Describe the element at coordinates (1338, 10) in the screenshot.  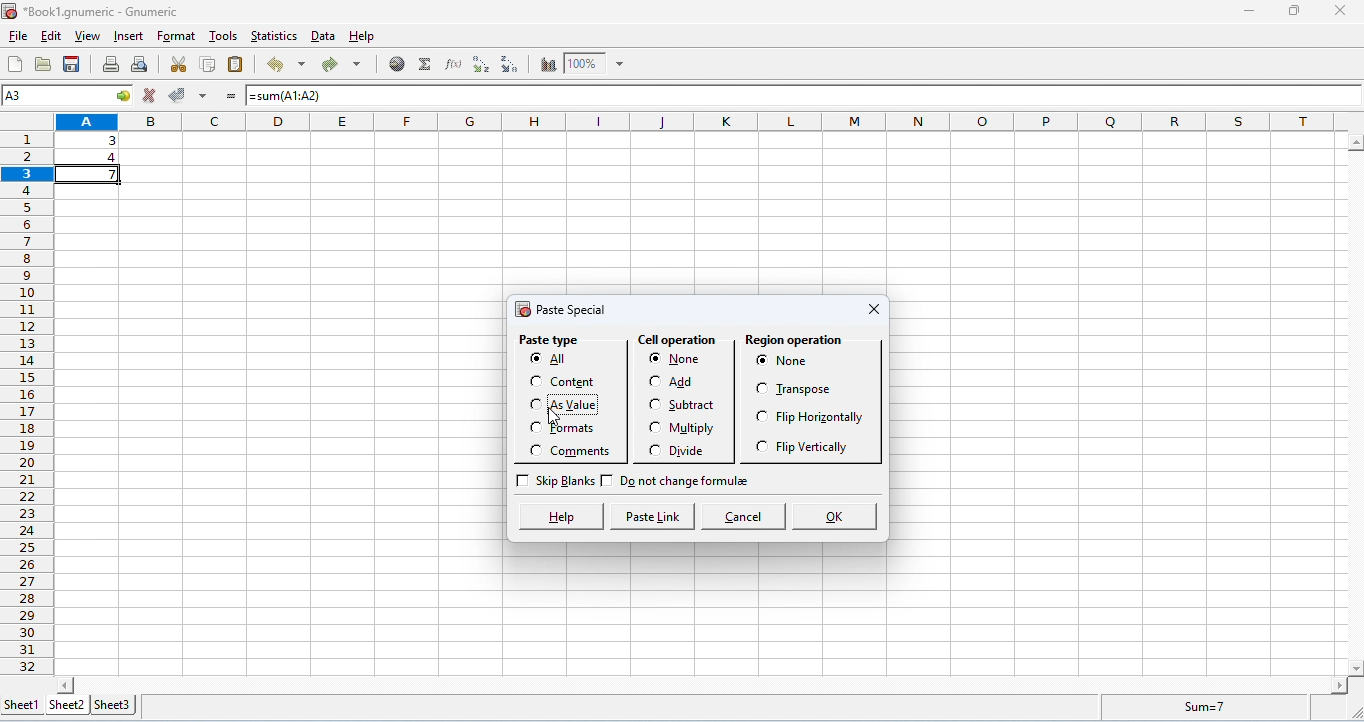
I see `close` at that location.